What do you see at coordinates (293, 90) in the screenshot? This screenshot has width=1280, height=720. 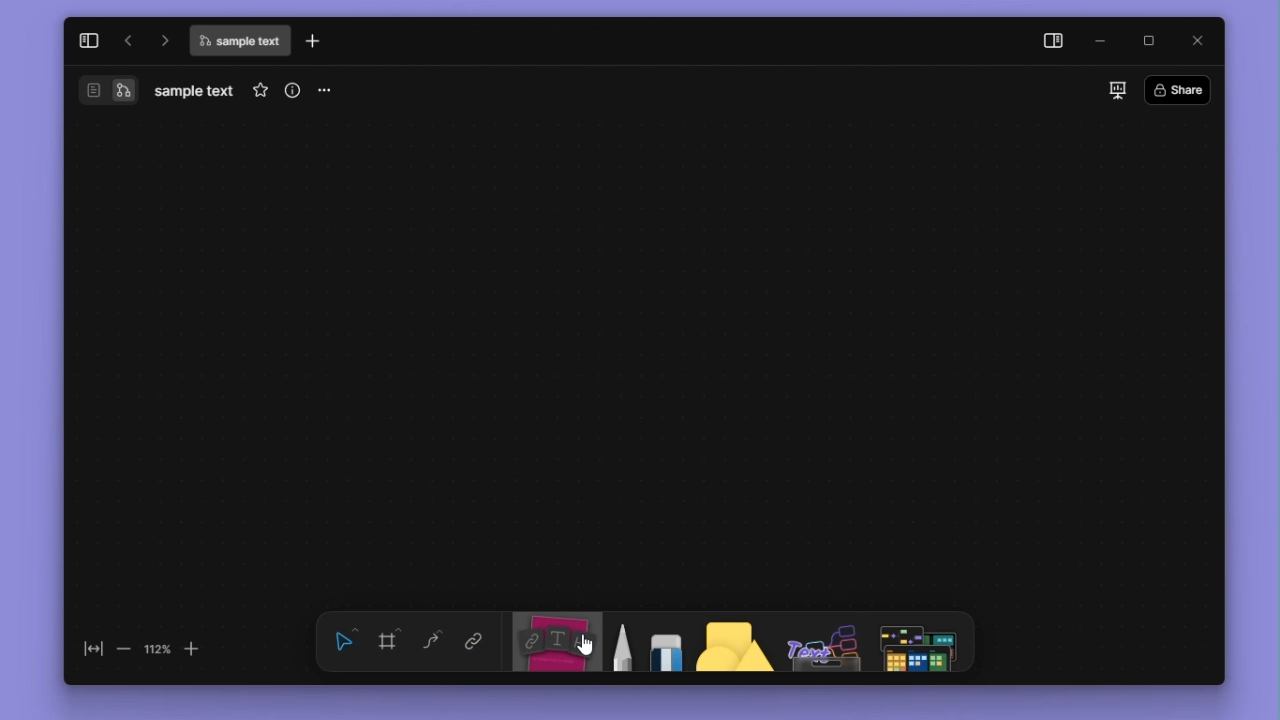 I see `view info` at bounding box center [293, 90].